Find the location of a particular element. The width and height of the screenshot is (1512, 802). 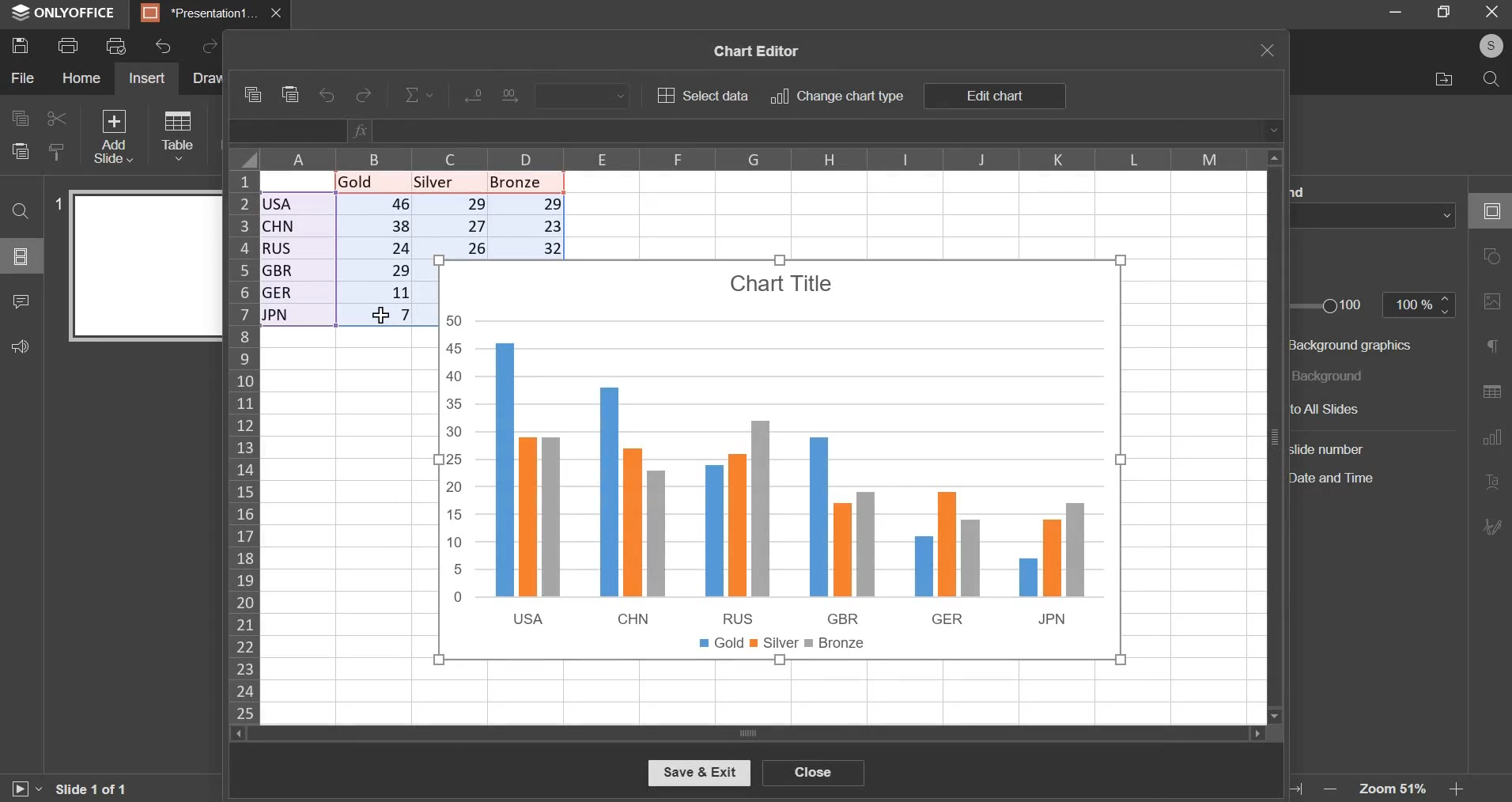

redo is located at coordinates (208, 47).